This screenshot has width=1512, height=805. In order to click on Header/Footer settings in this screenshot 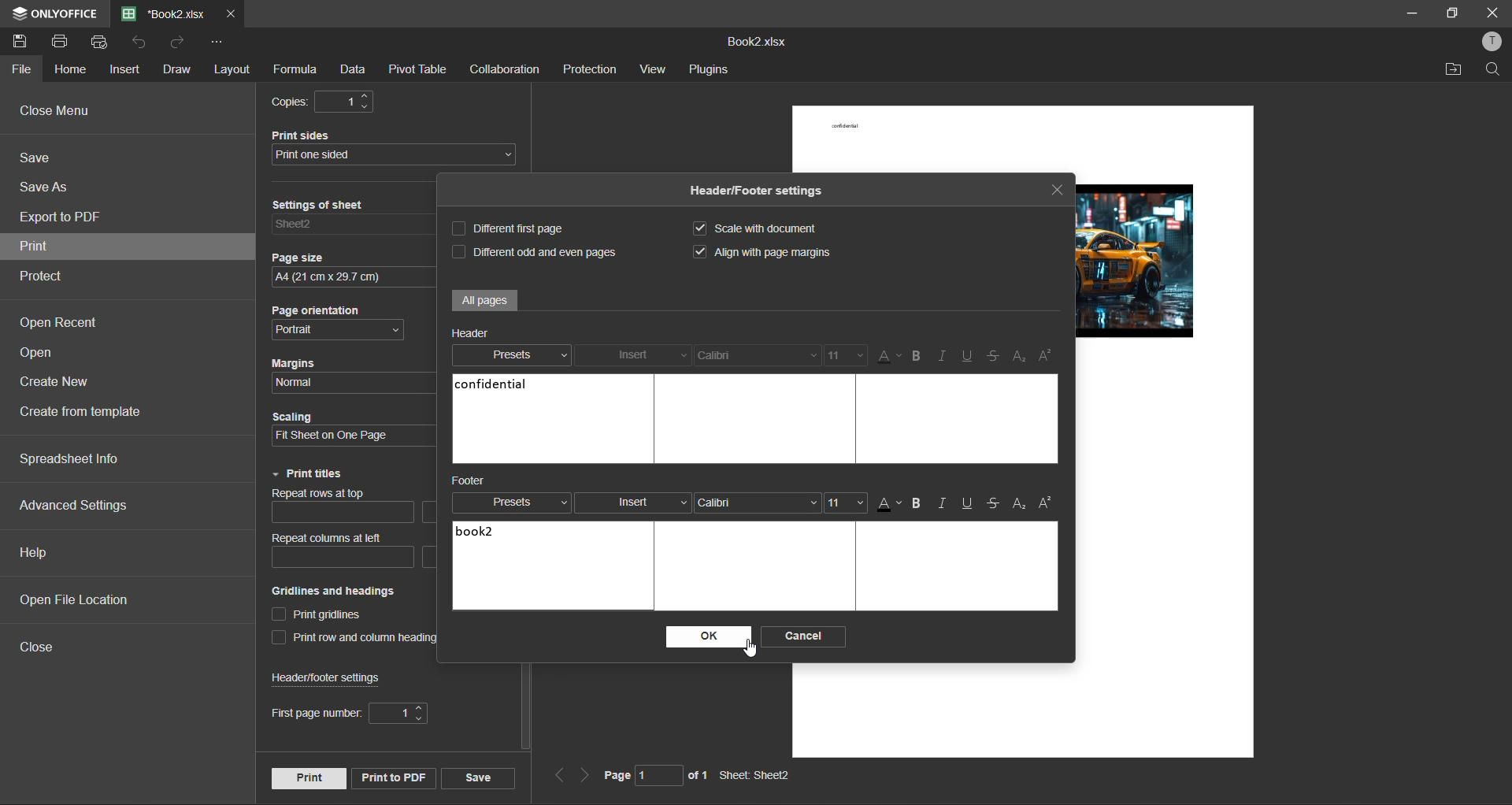, I will do `click(756, 189)`.